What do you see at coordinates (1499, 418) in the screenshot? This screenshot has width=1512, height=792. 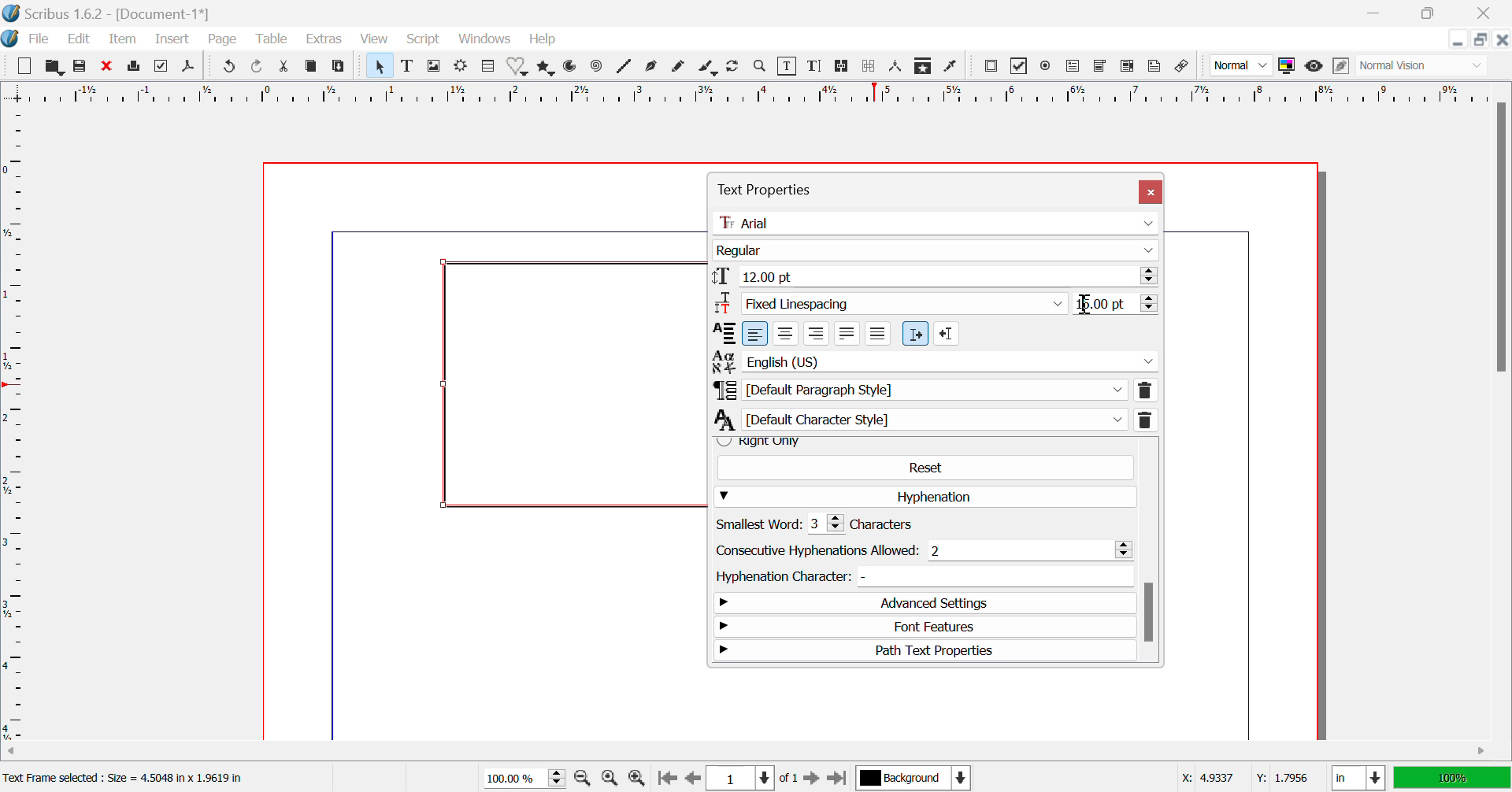 I see `Vertical Scroll Bar` at bounding box center [1499, 418].